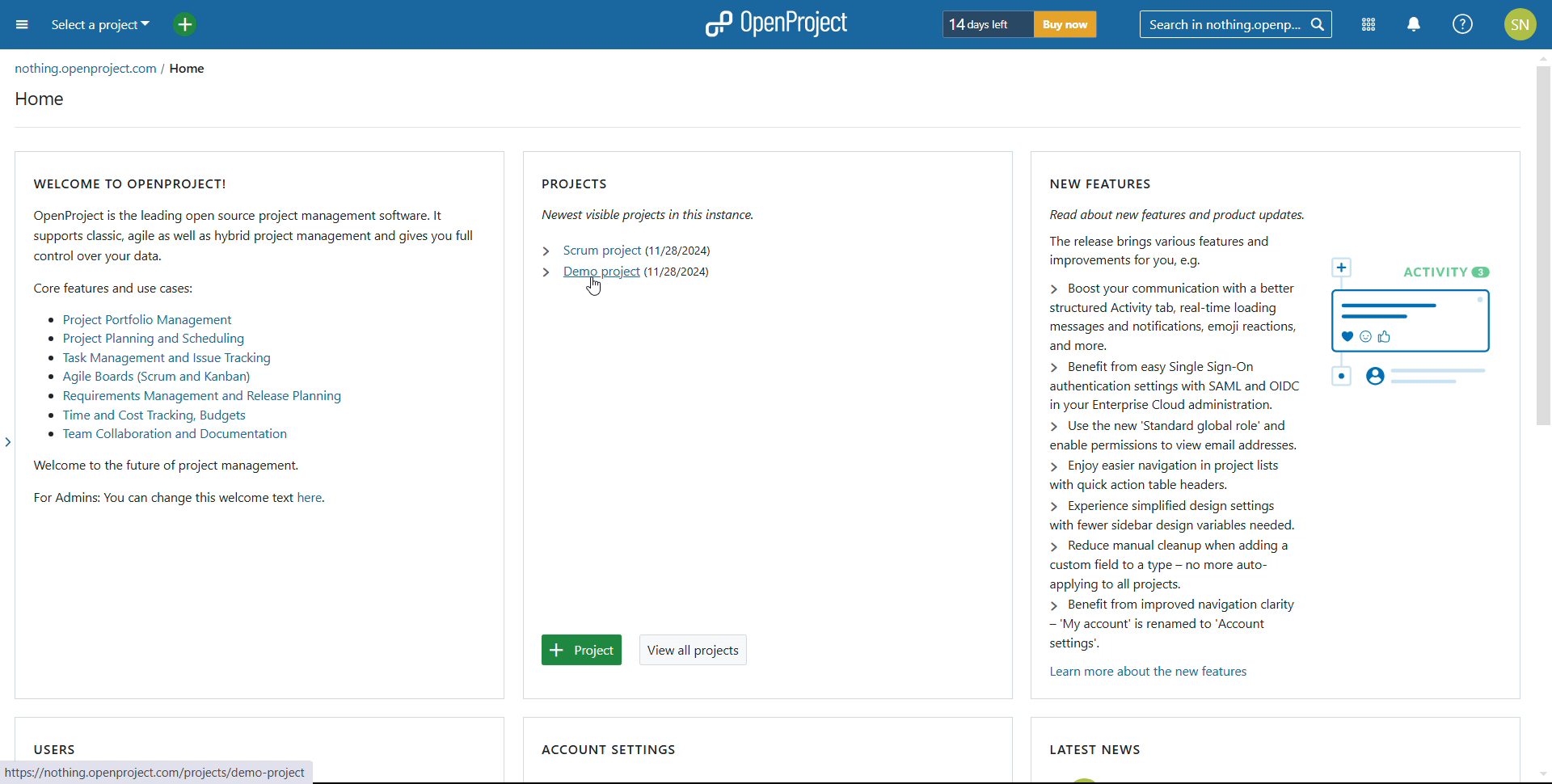 Image resolution: width=1552 pixels, height=784 pixels. What do you see at coordinates (593, 288) in the screenshot?
I see `cursor` at bounding box center [593, 288].